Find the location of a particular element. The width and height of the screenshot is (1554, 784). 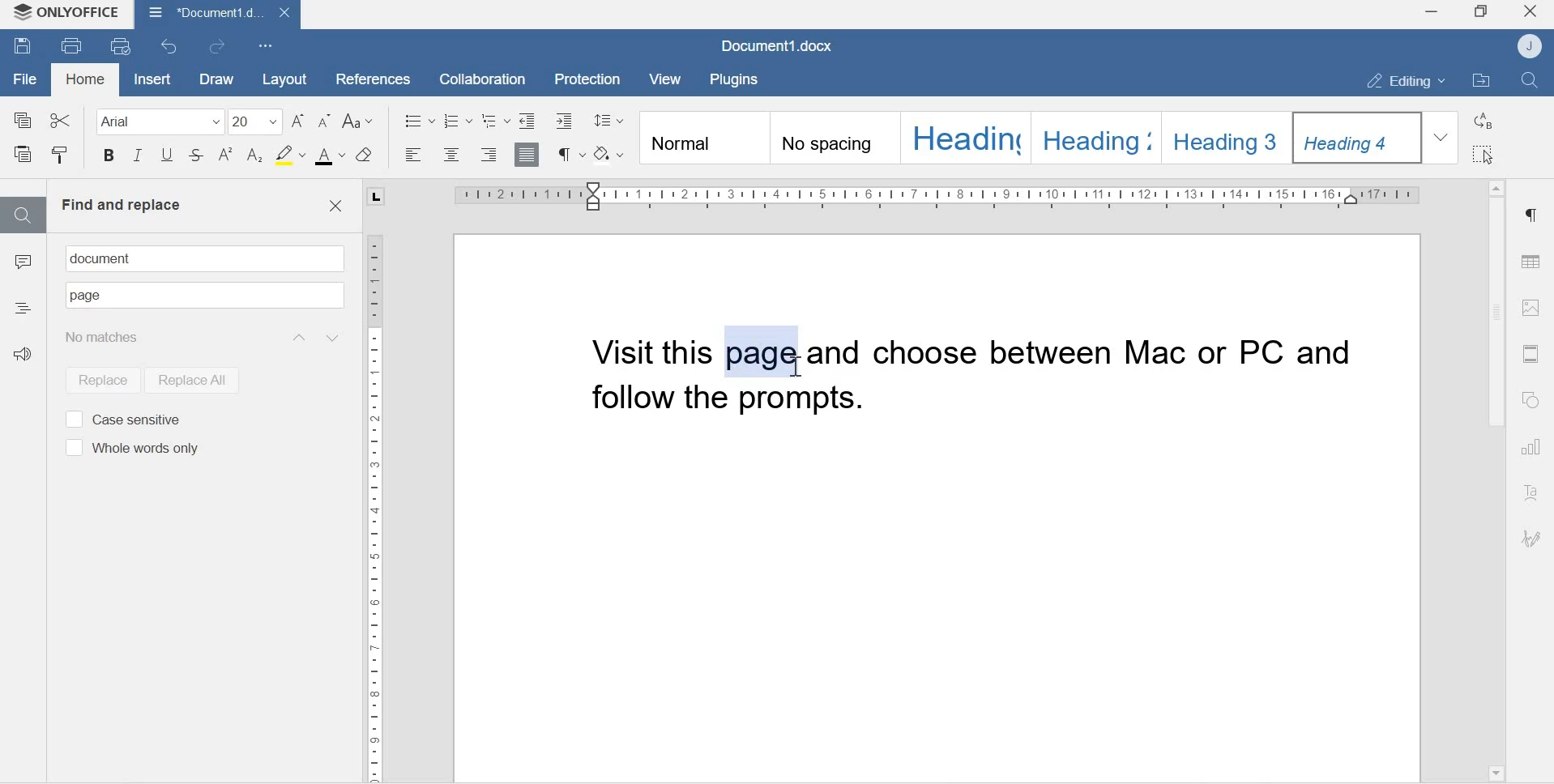

Find is located at coordinates (22, 215).